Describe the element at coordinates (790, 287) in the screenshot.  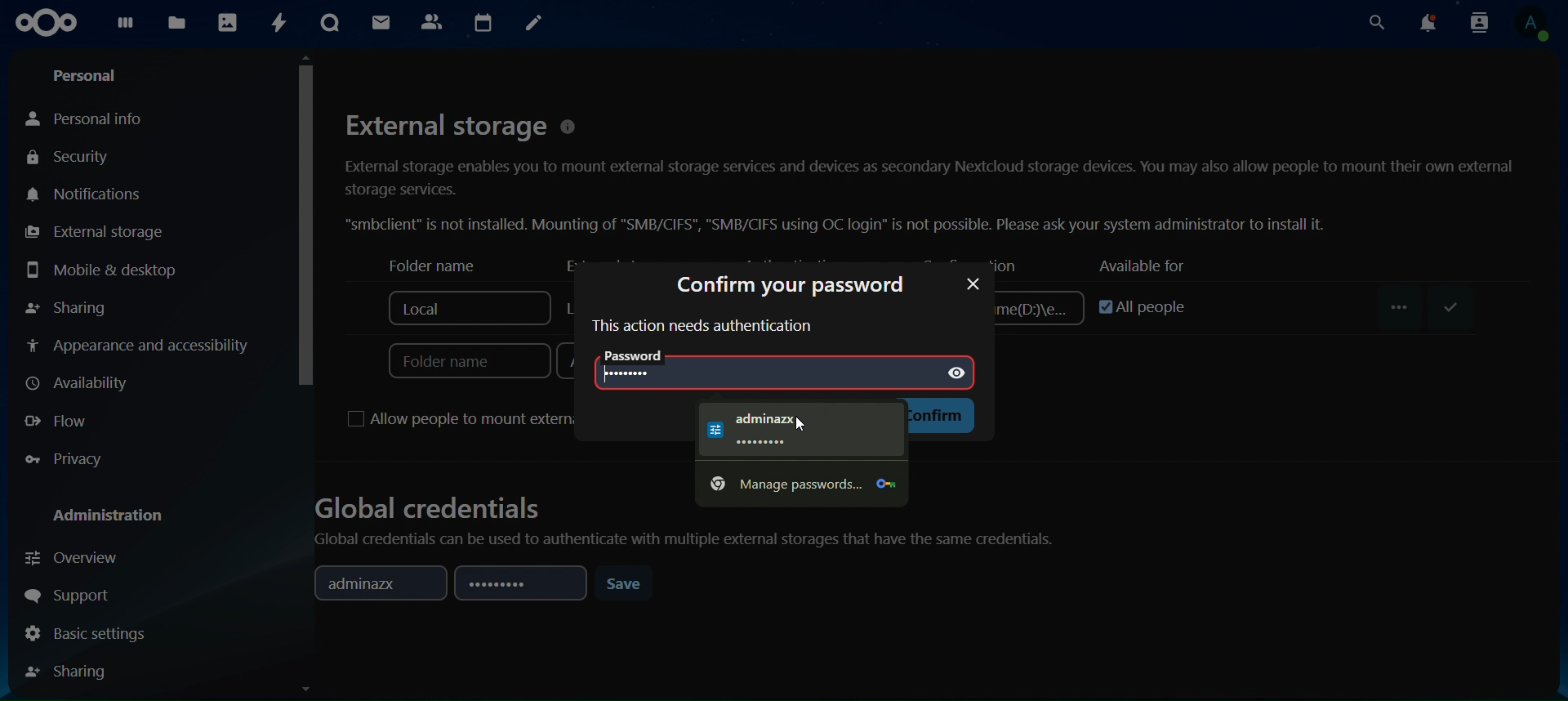
I see `confirm your password` at that location.